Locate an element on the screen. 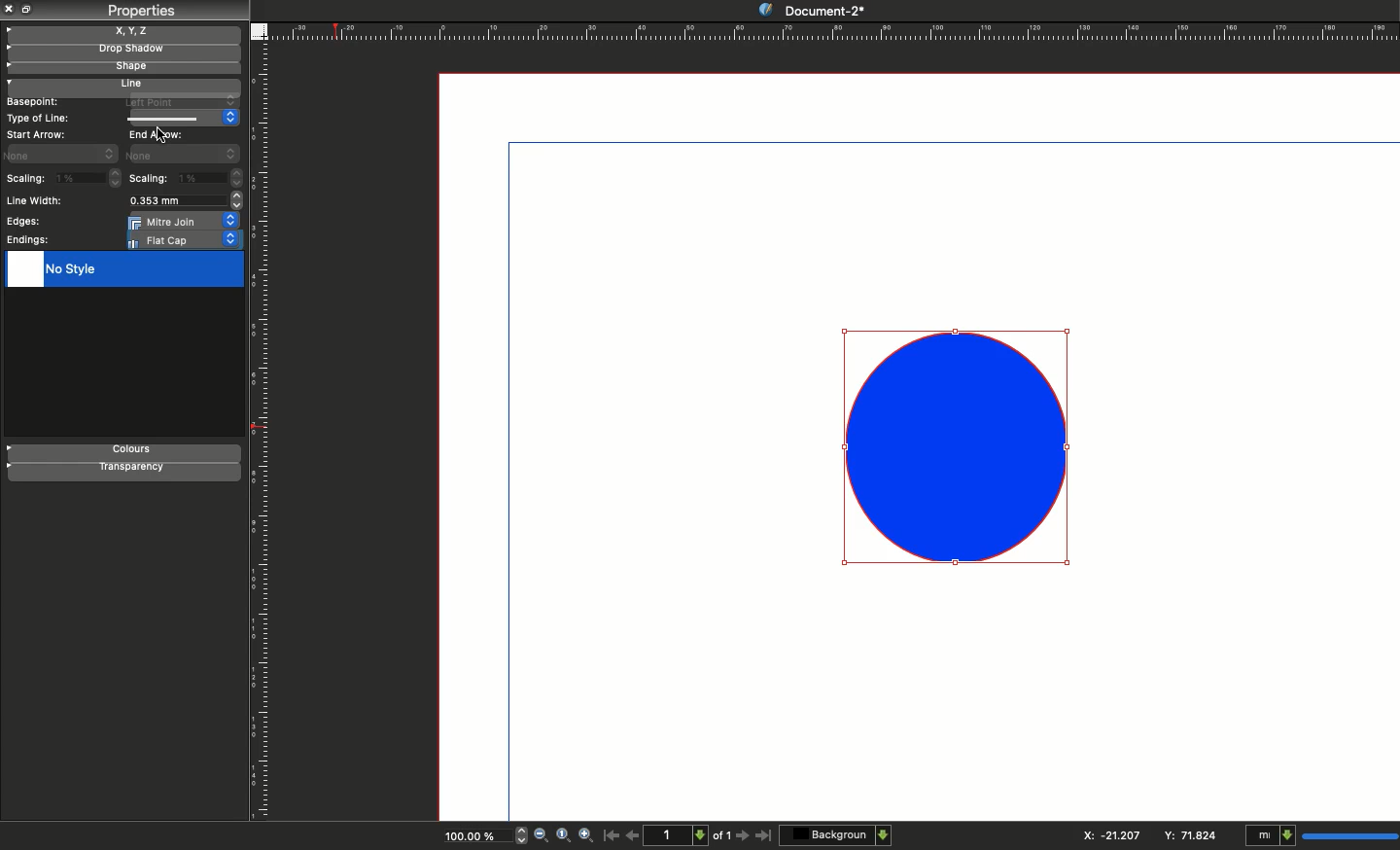 The image size is (1400, 850). Type of line is located at coordinates (40, 118).